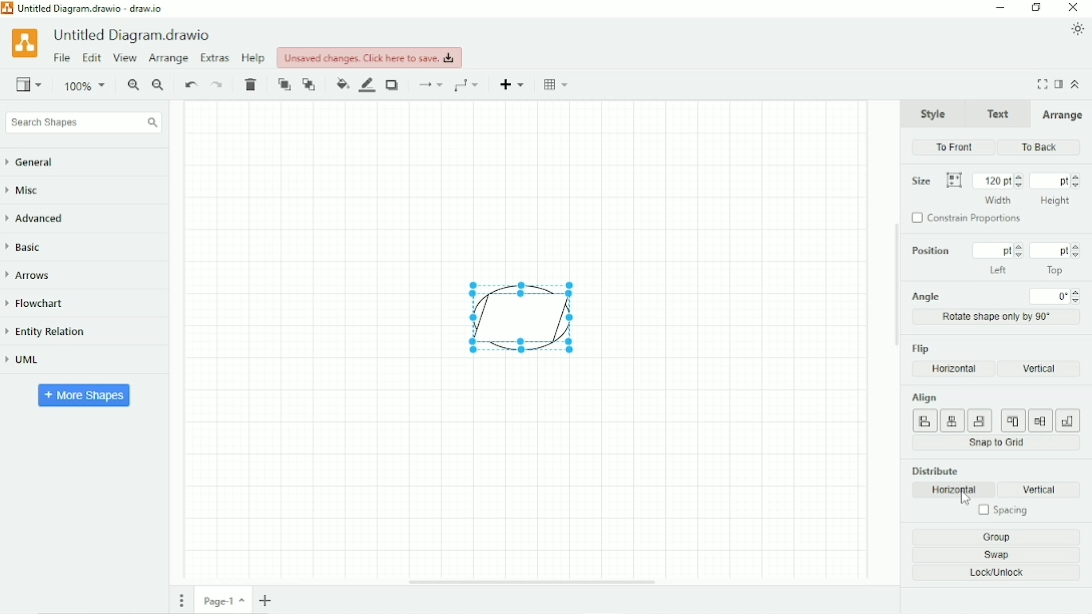 The image size is (1092, 614). What do you see at coordinates (394, 85) in the screenshot?
I see `Shadow` at bounding box center [394, 85].